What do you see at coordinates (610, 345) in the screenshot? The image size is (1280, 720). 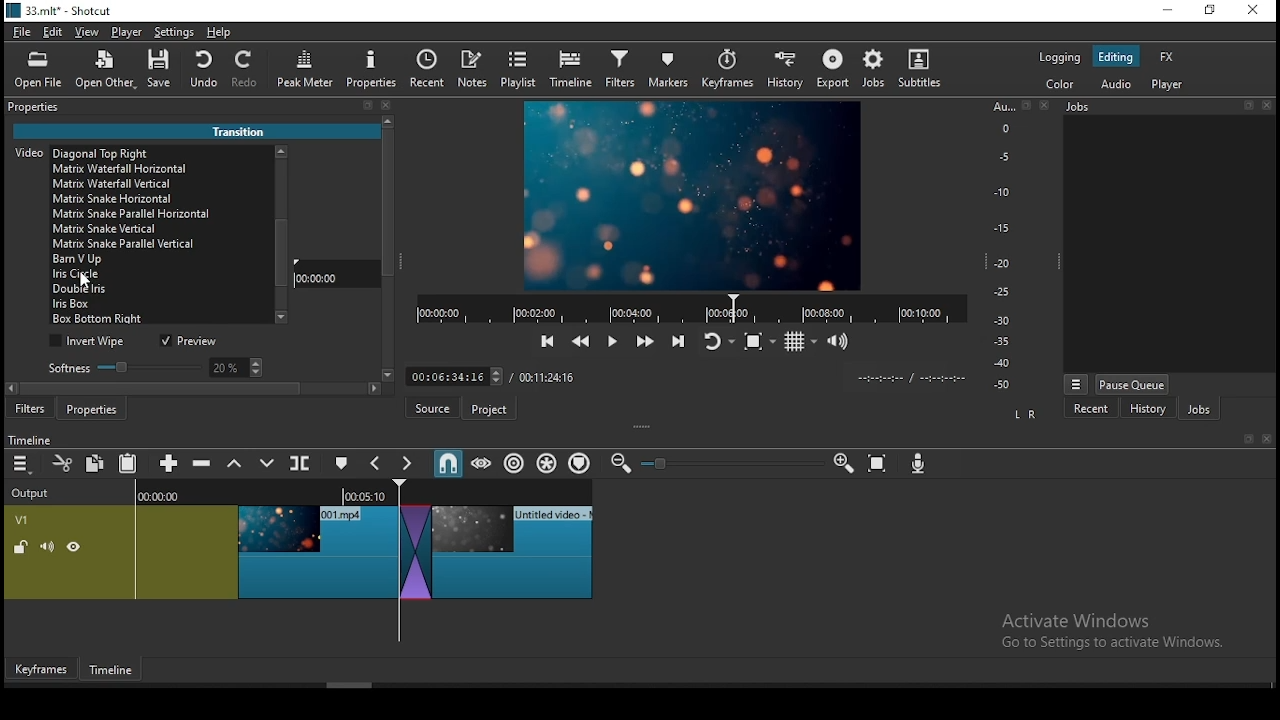 I see `play/pause` at bounding box center [610, 345].